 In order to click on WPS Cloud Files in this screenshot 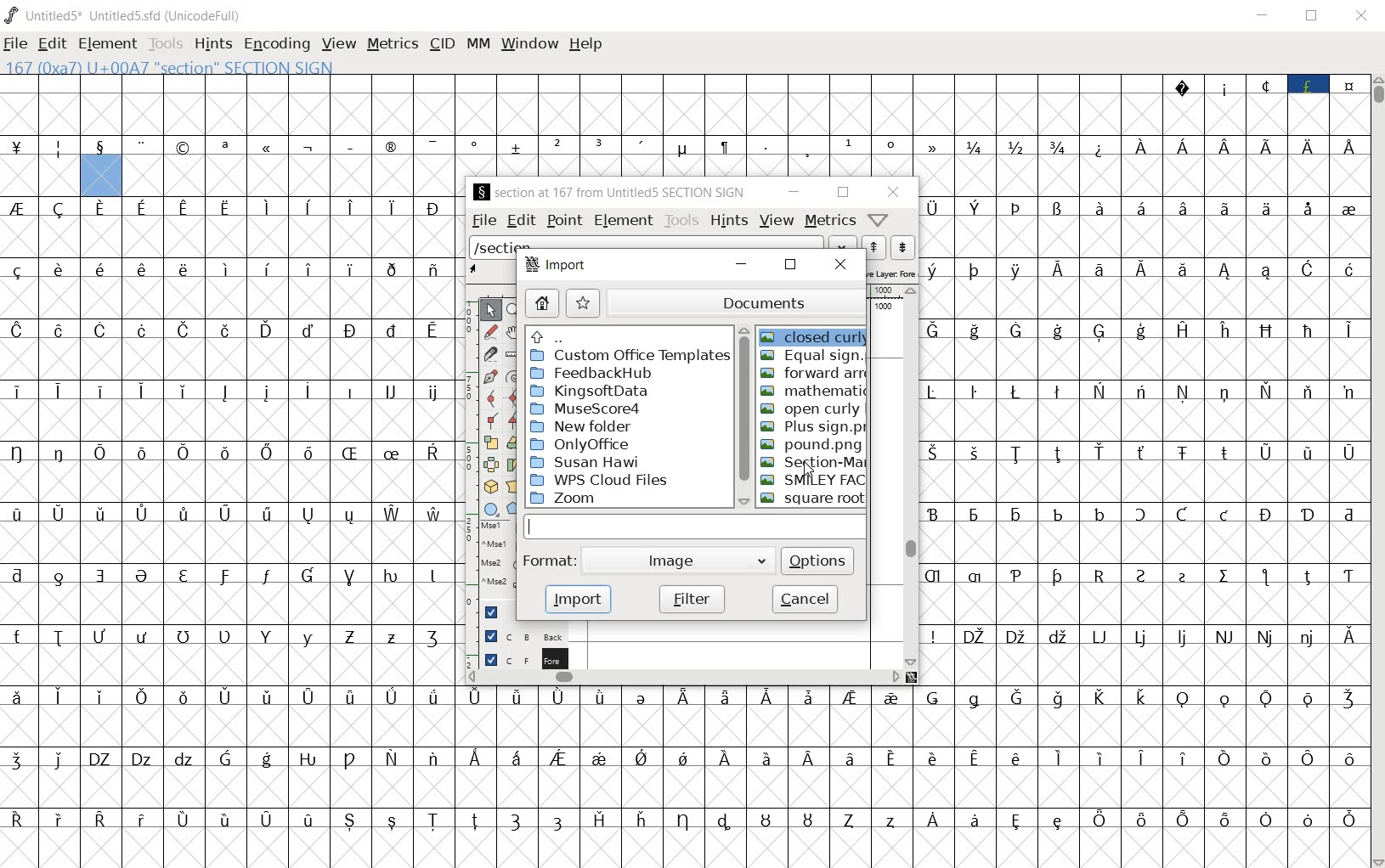, I will do `click(602, 480)`.